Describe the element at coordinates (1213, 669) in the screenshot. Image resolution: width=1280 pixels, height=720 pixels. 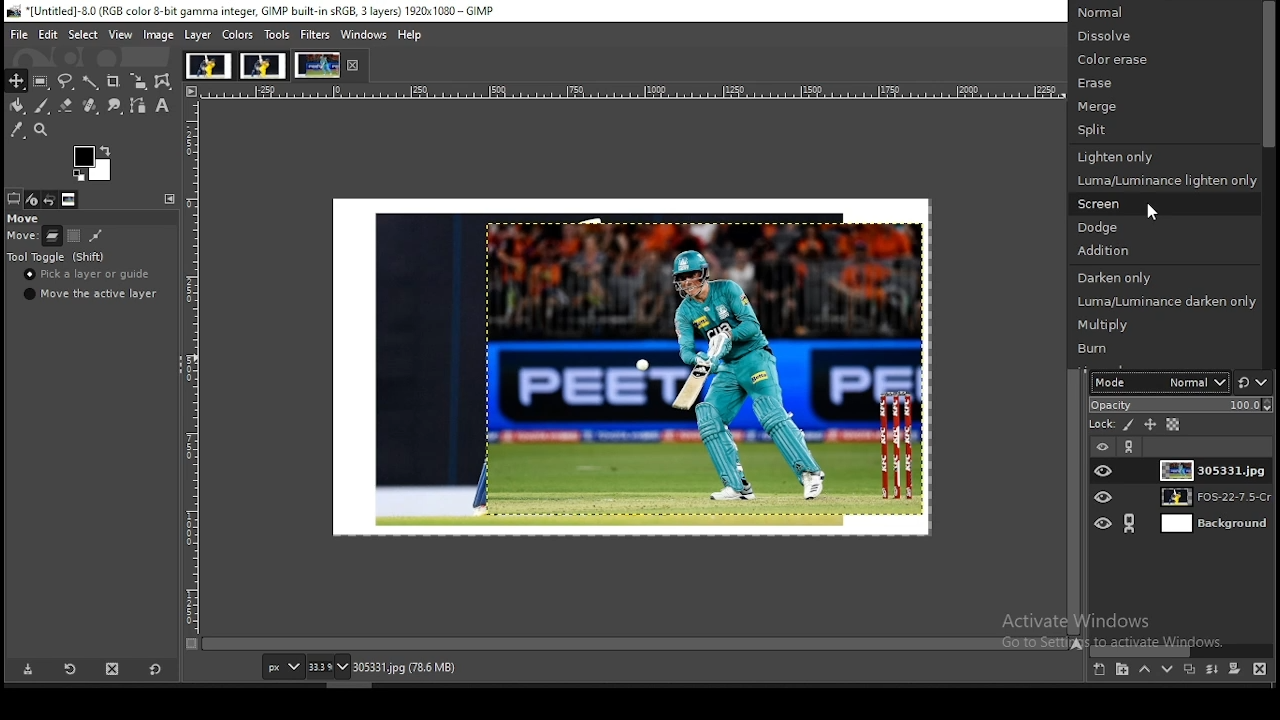
I see `merge layer` at that location.